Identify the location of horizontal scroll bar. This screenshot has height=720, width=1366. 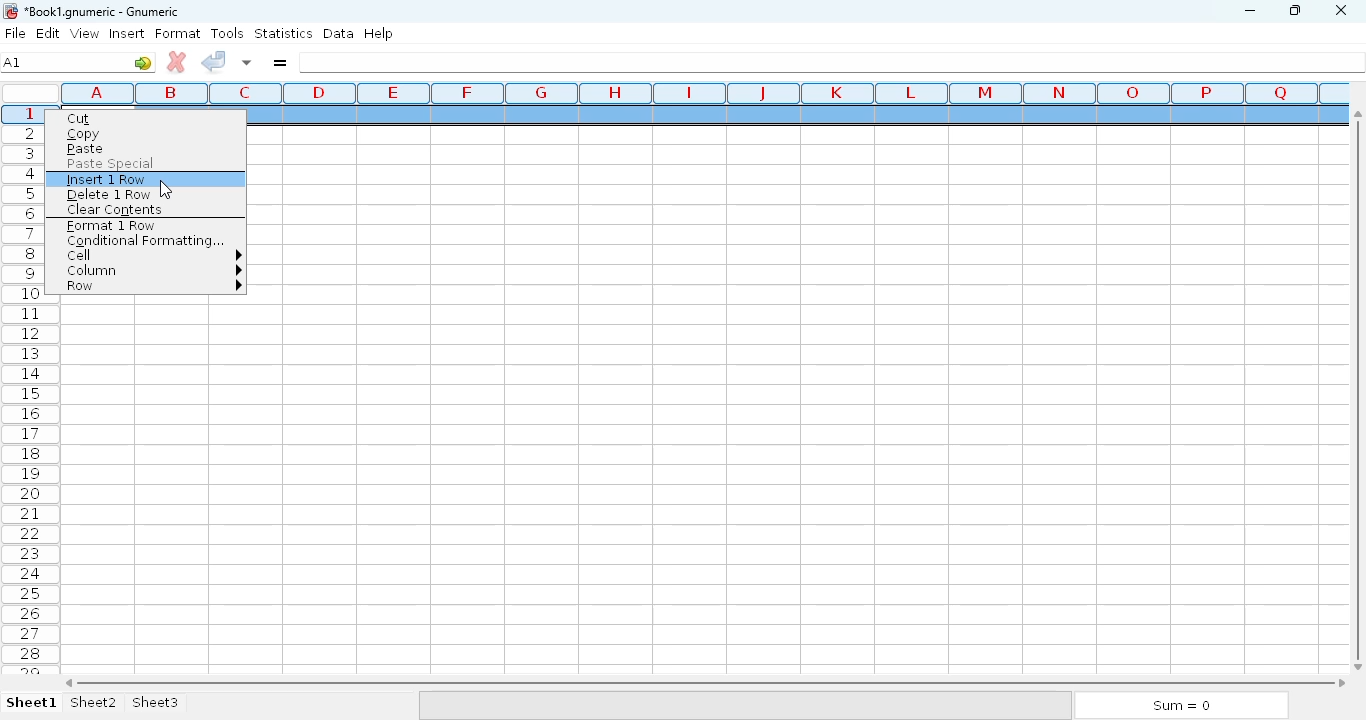
(705, 683).